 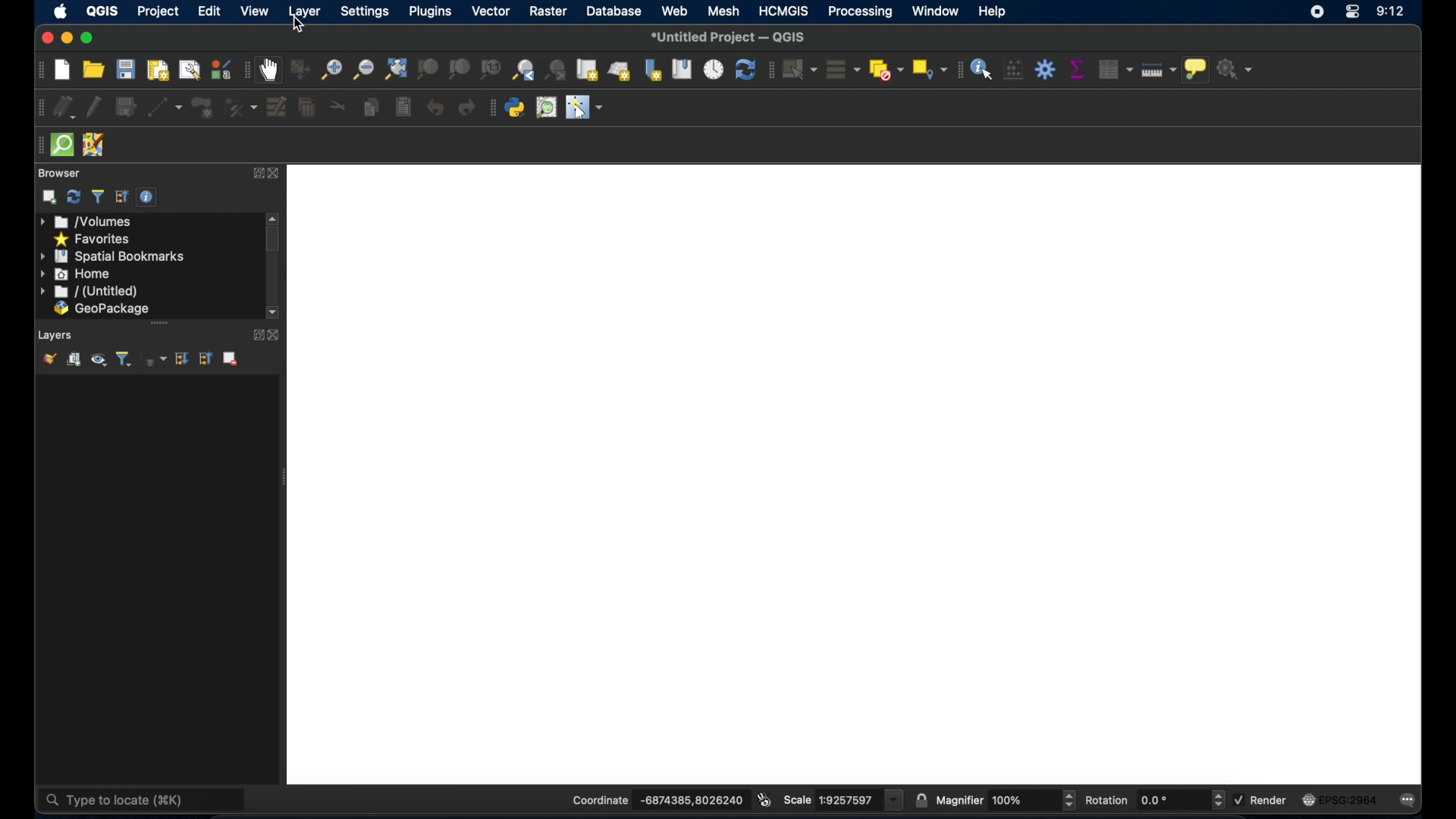 What do you see at coordinates (862, 13) in the screenshot?
I see `processing` at bounding box center [862, 13].